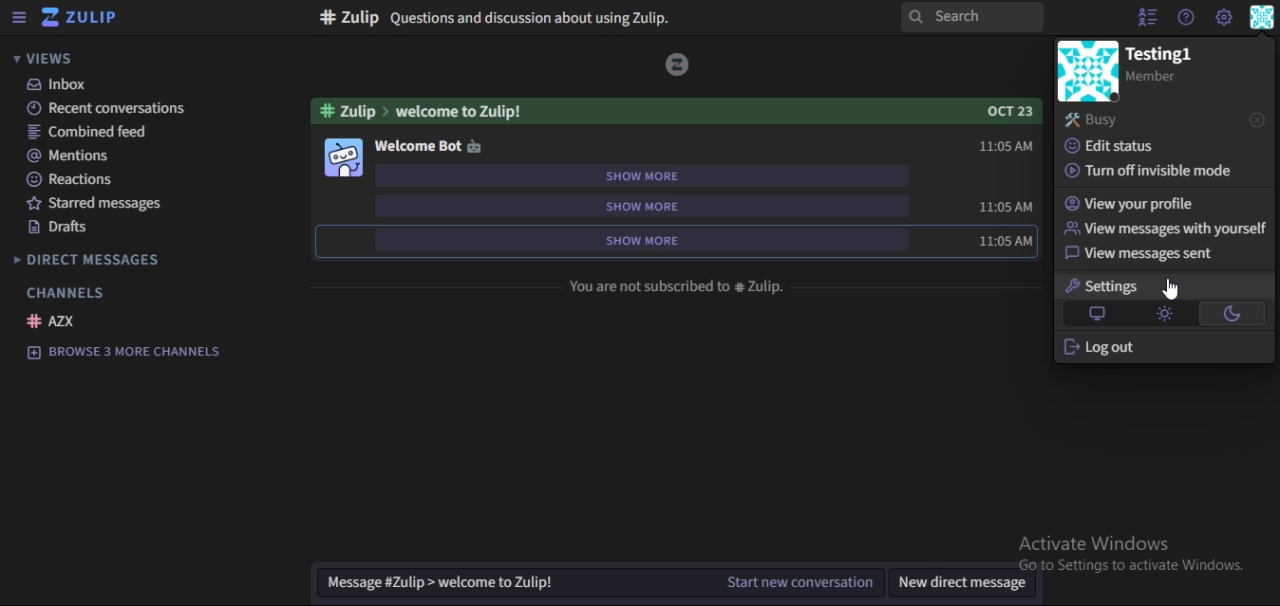 The height and width of the screenshot is (606, 1280). I want to click on start new conversation, so click(602, 586).